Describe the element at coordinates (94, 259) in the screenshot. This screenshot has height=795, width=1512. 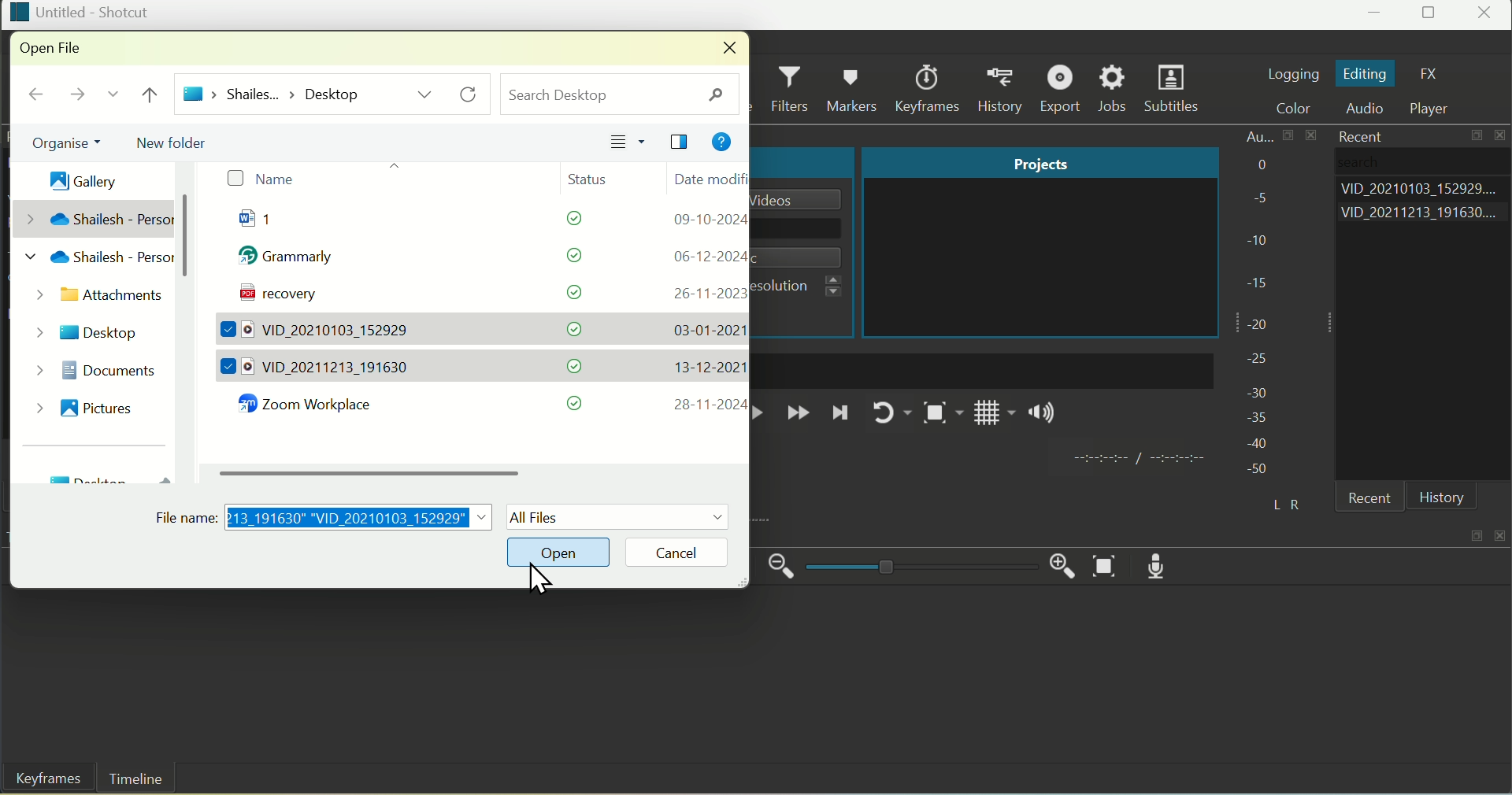
I see `shailesh - personal` at that location.